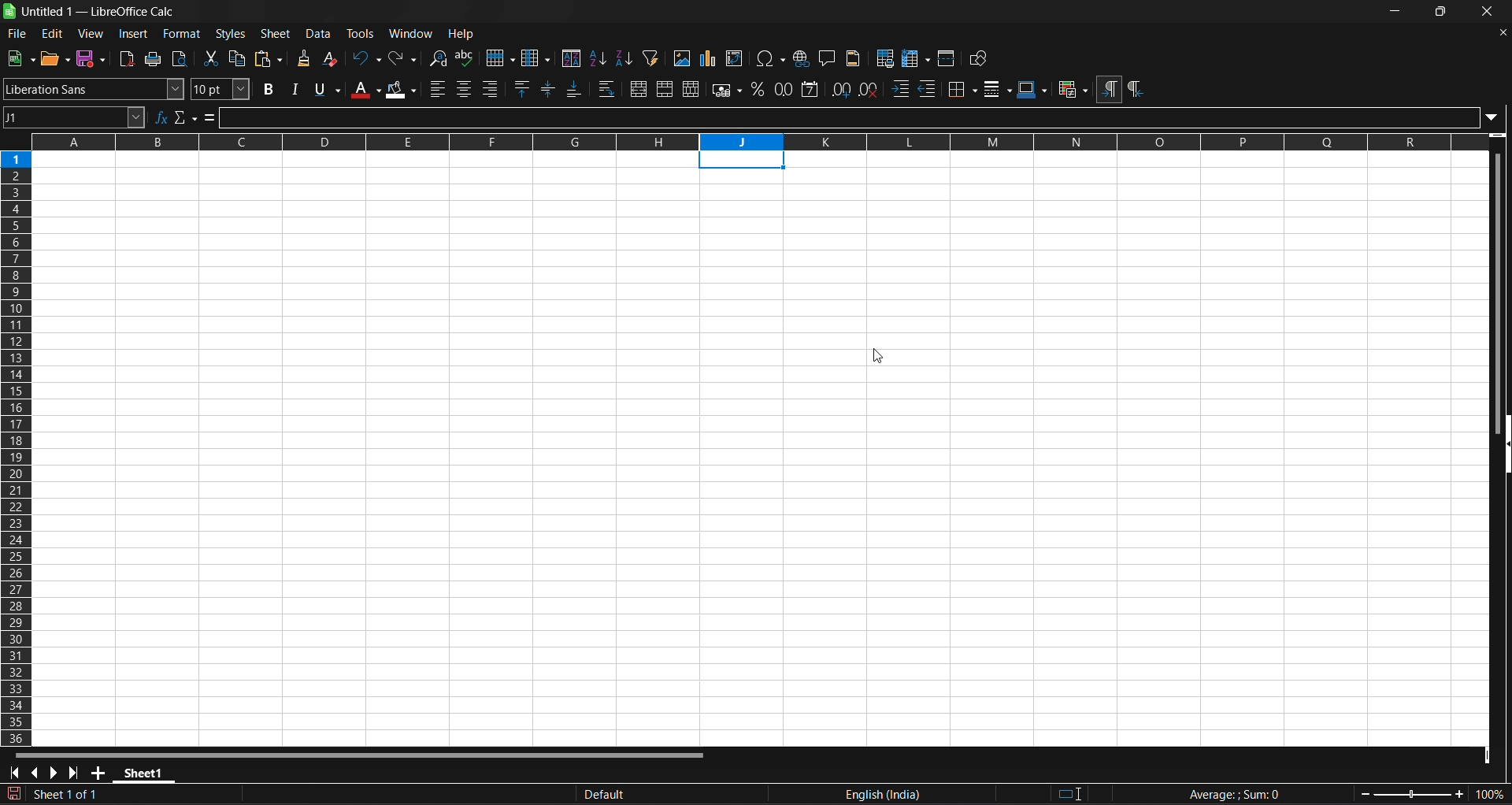 The height and width of the screenshot is (805, 1512). I want to click on styles, so click(230, 34).